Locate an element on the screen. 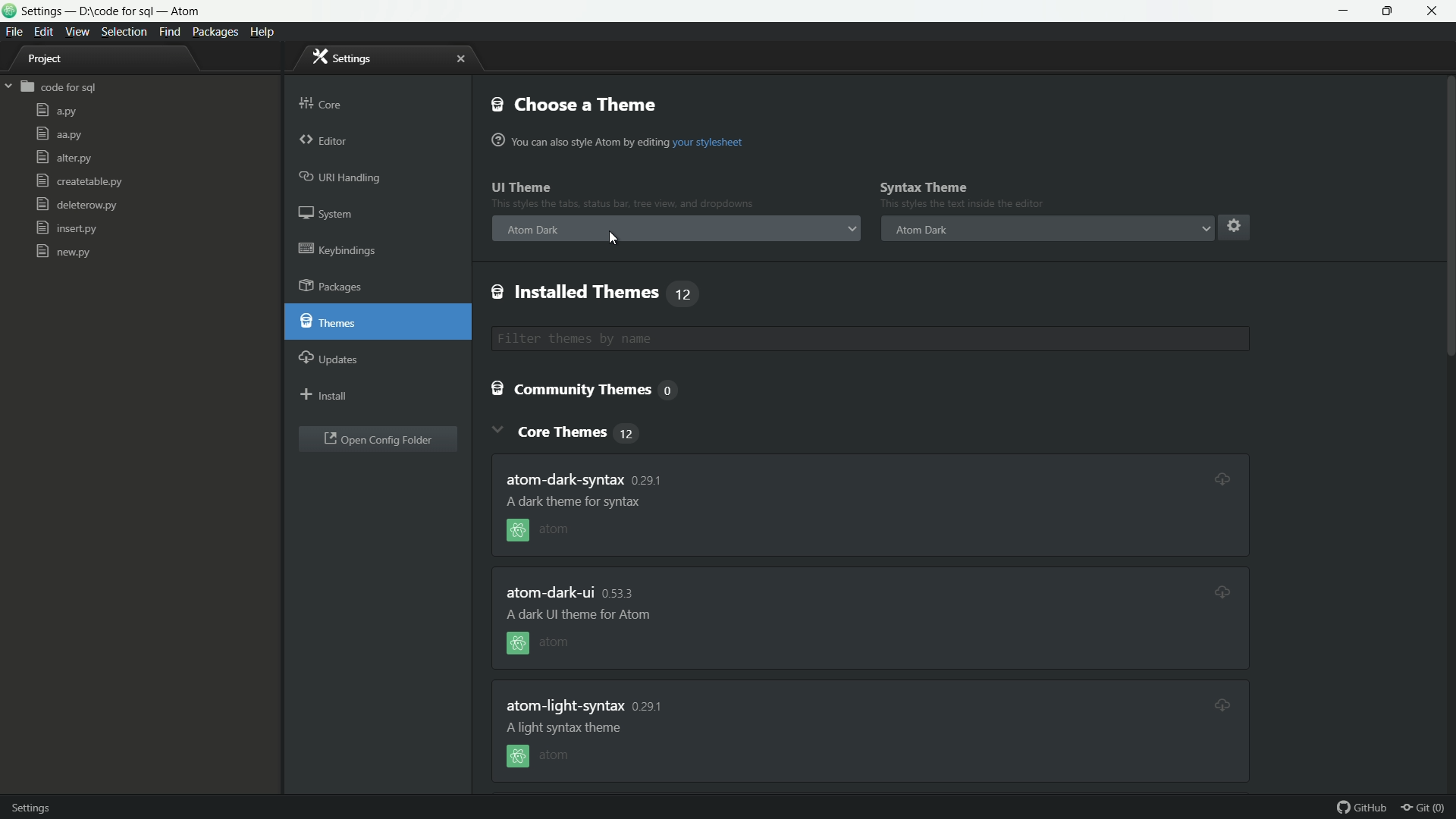 This screenshot has width=1456, height=819. new.py file is located at coordinates (63, 251).